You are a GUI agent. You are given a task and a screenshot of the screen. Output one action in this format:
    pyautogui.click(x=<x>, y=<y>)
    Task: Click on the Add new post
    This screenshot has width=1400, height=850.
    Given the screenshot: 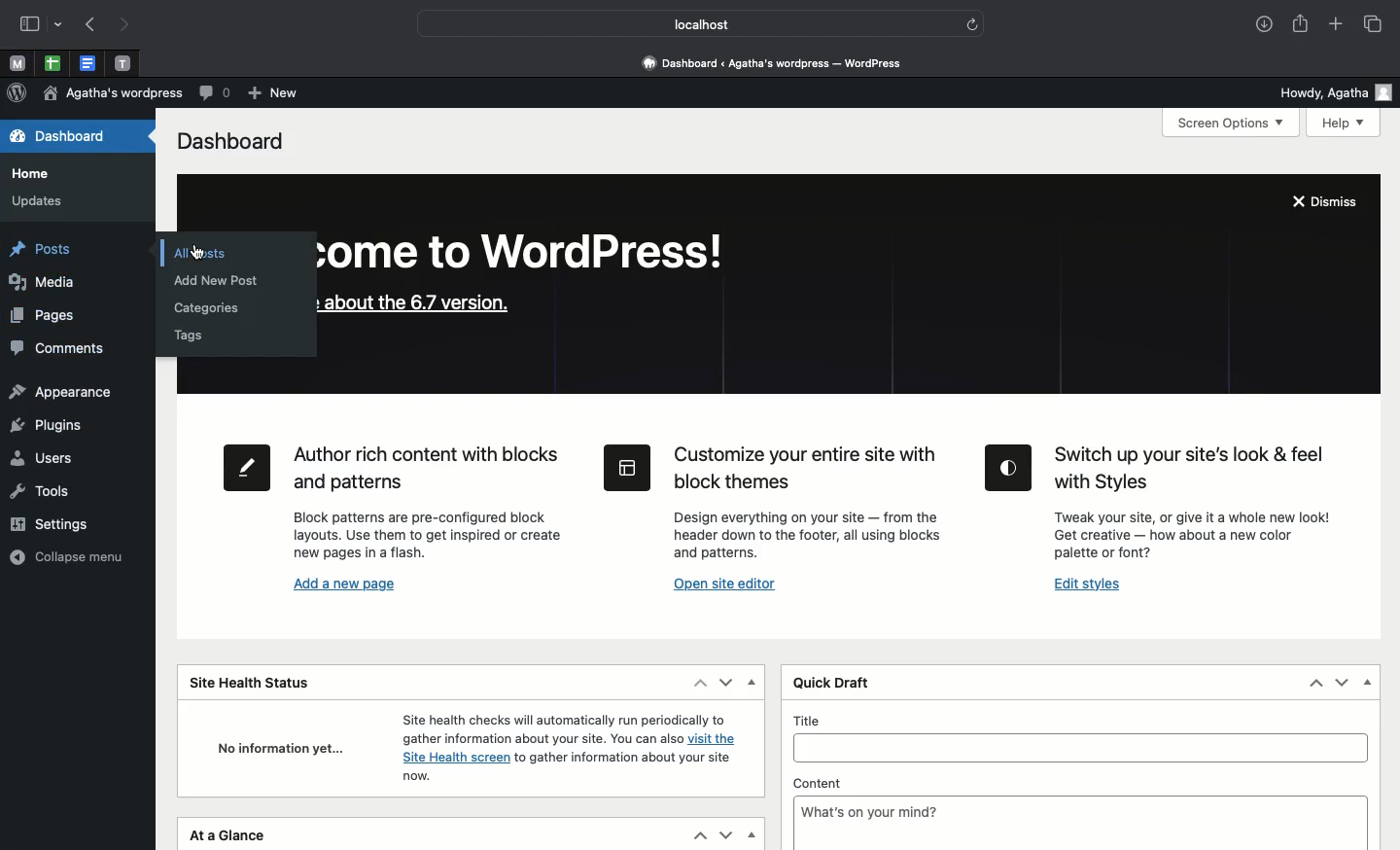 What is the action you would take?
    pyautogui.click(x=225, y=280)
    